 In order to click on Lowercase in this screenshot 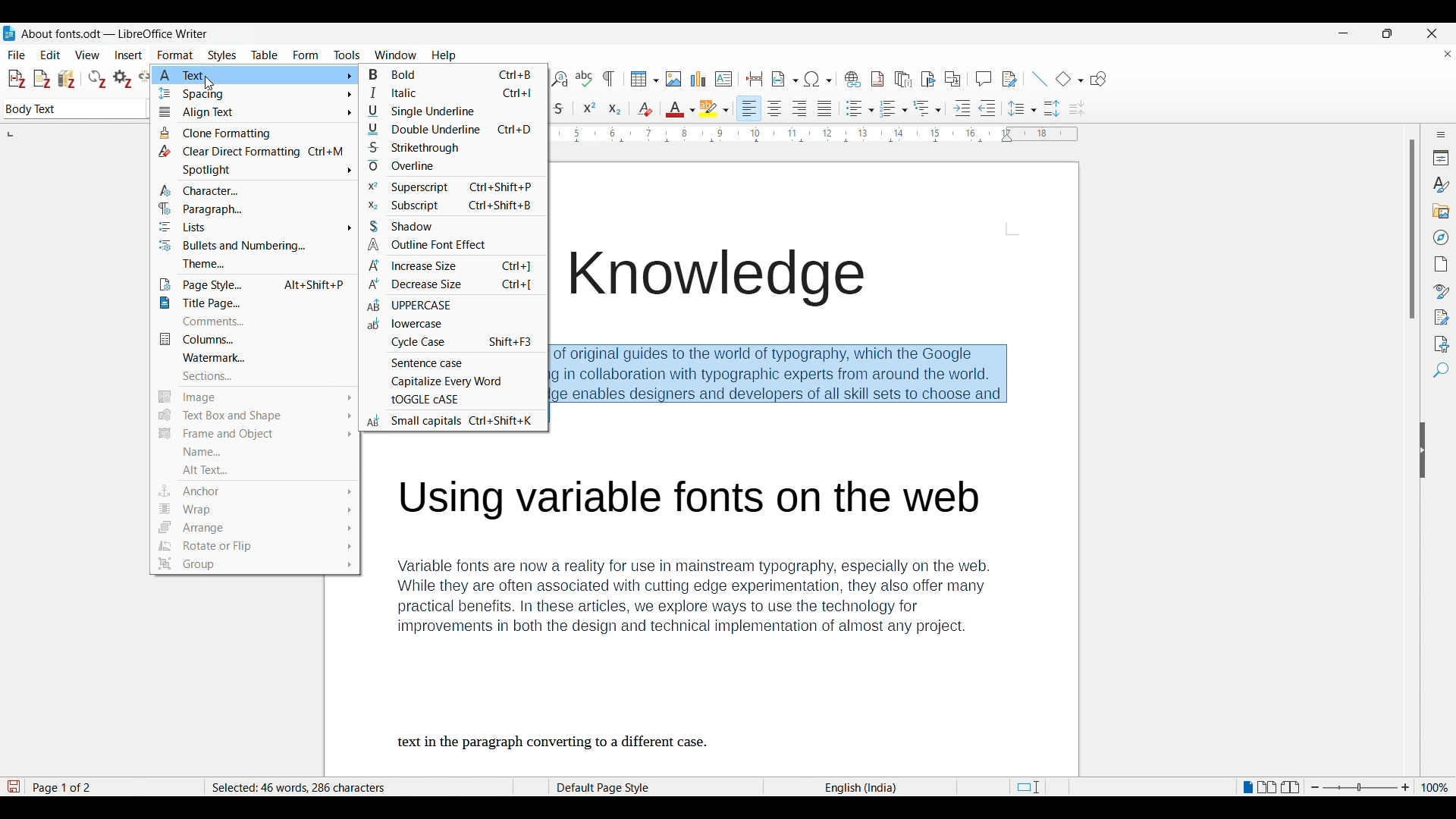, I will do `click(409, 326)`.